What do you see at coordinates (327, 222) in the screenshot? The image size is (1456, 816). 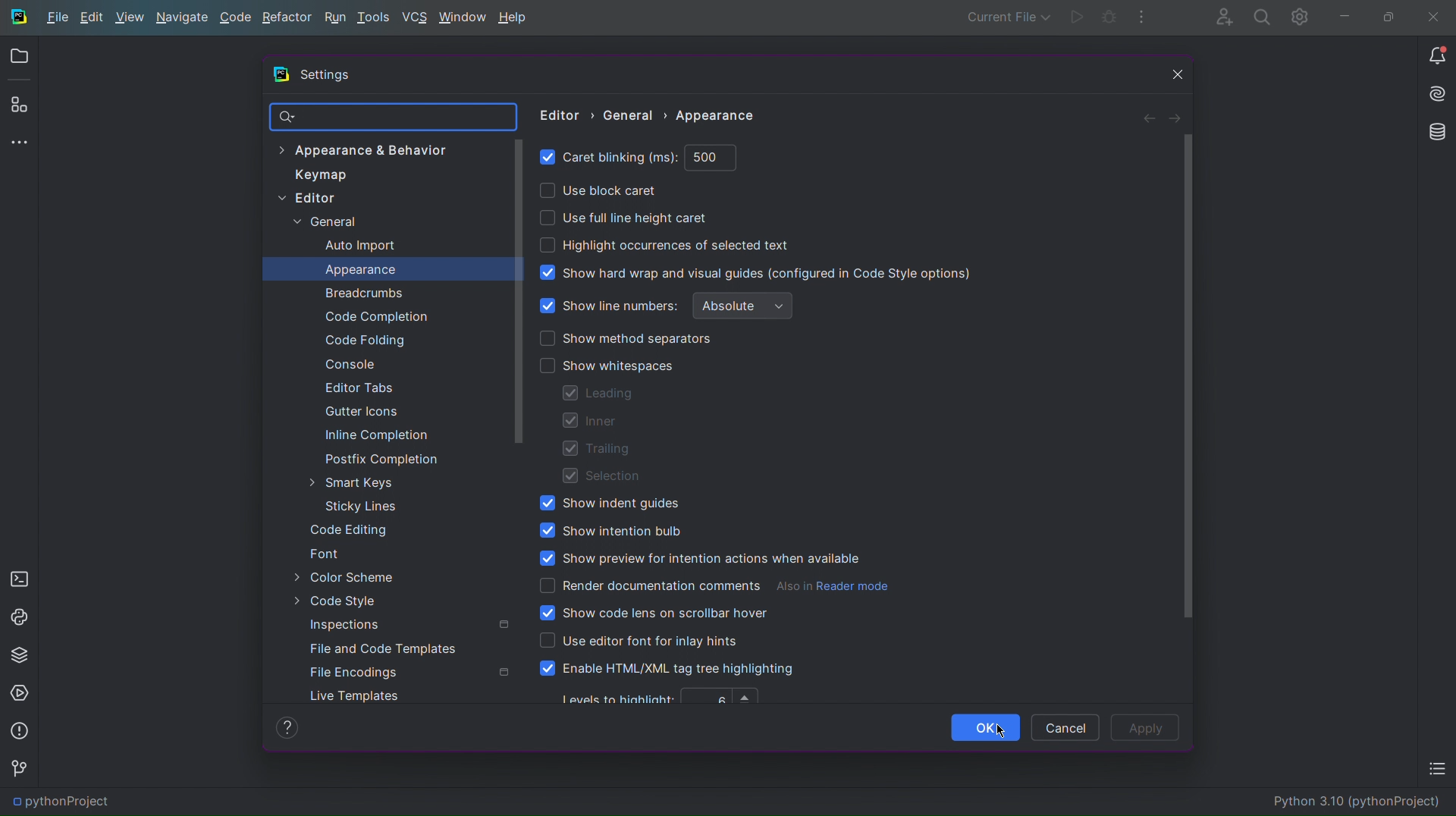 I see `General` at bounding box center [327, 222].